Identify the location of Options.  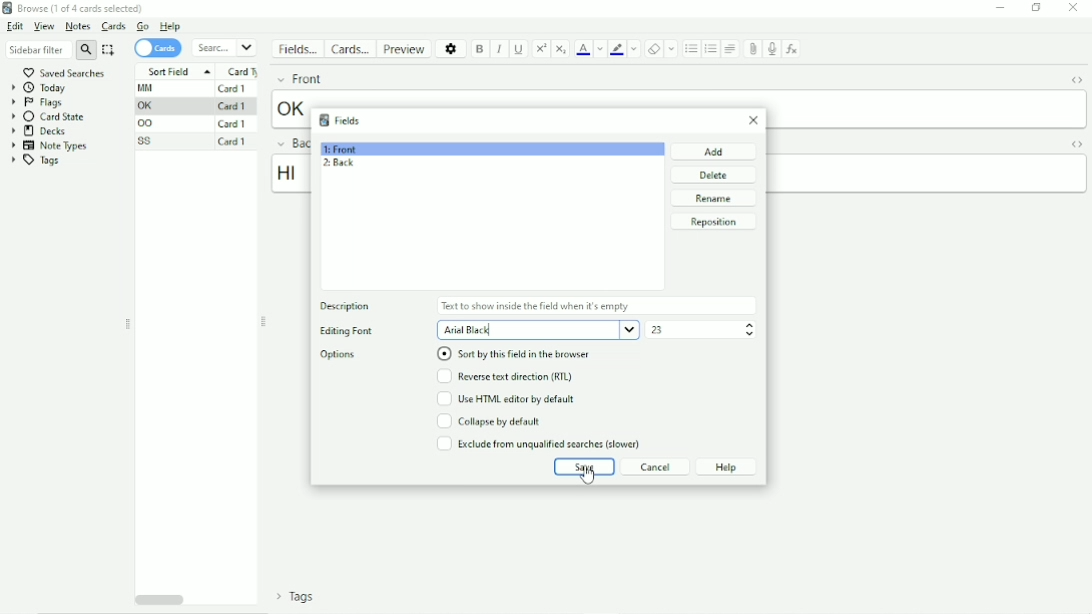
(452, 48).